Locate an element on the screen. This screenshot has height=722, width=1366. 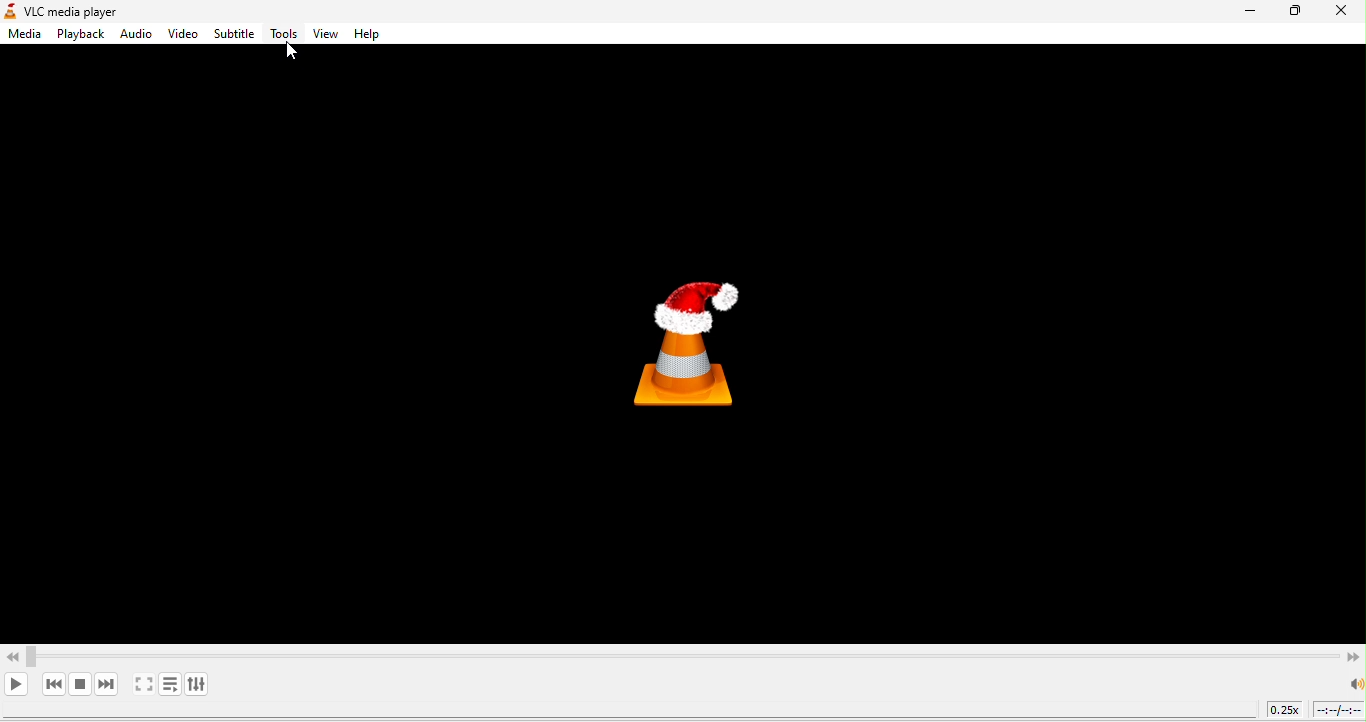
show extended settings is located at coordinates (200, 682).